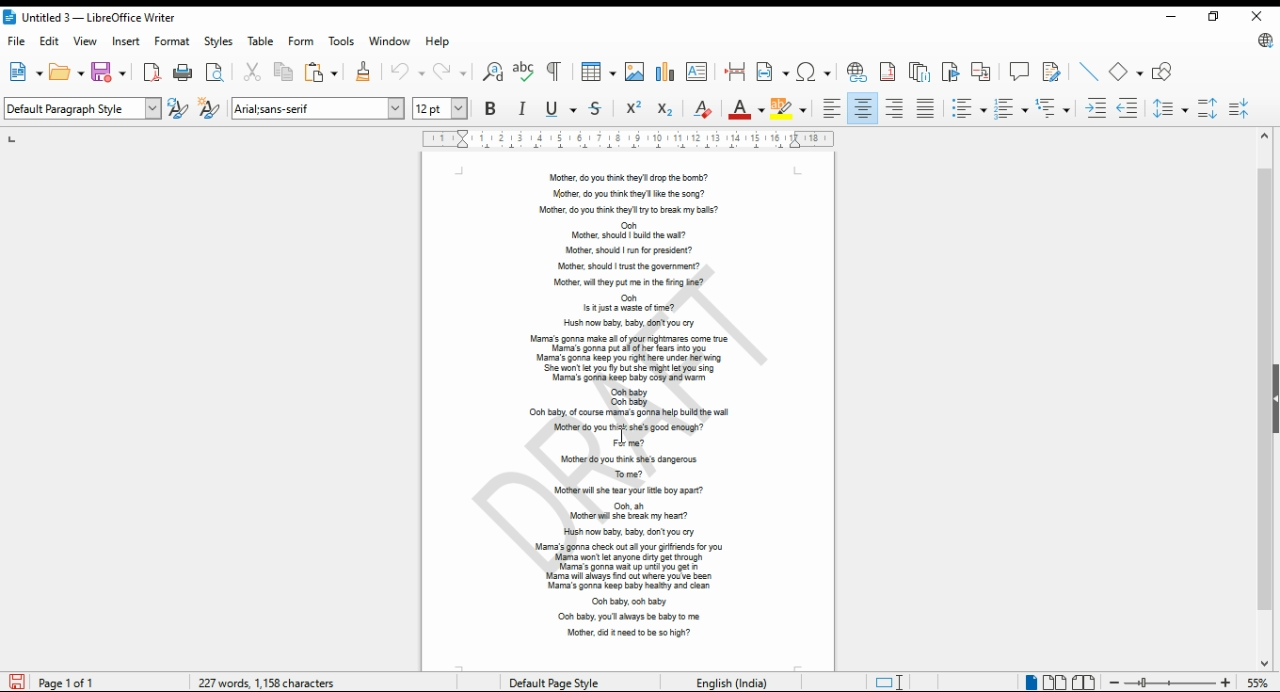  Describe the element at coordinates (88, 42) in the screenshot. I see `view` at that location.